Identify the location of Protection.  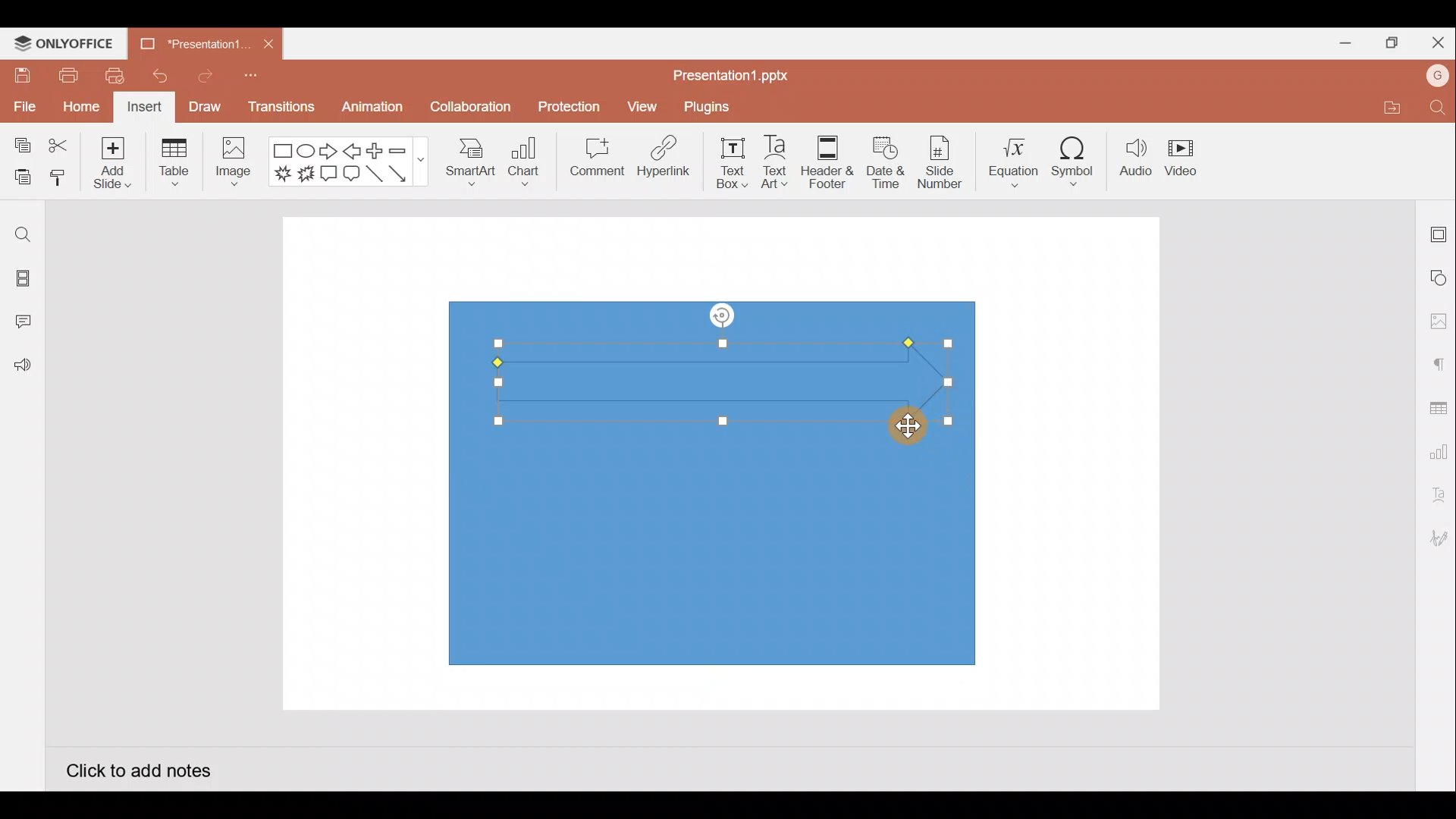
(565, 107).